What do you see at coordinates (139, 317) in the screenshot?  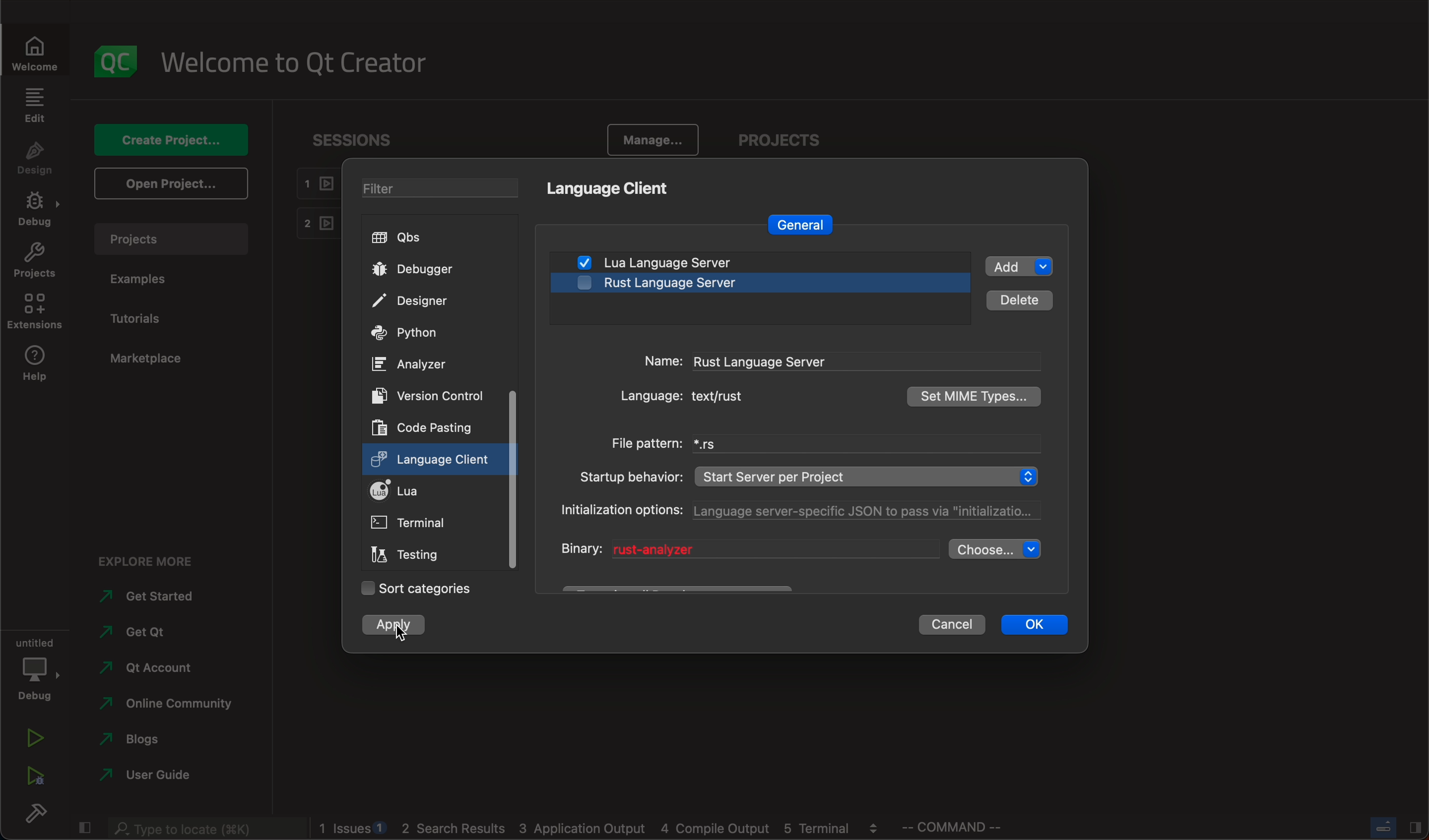 I see `tutorials` at bounding box center [139, 317].